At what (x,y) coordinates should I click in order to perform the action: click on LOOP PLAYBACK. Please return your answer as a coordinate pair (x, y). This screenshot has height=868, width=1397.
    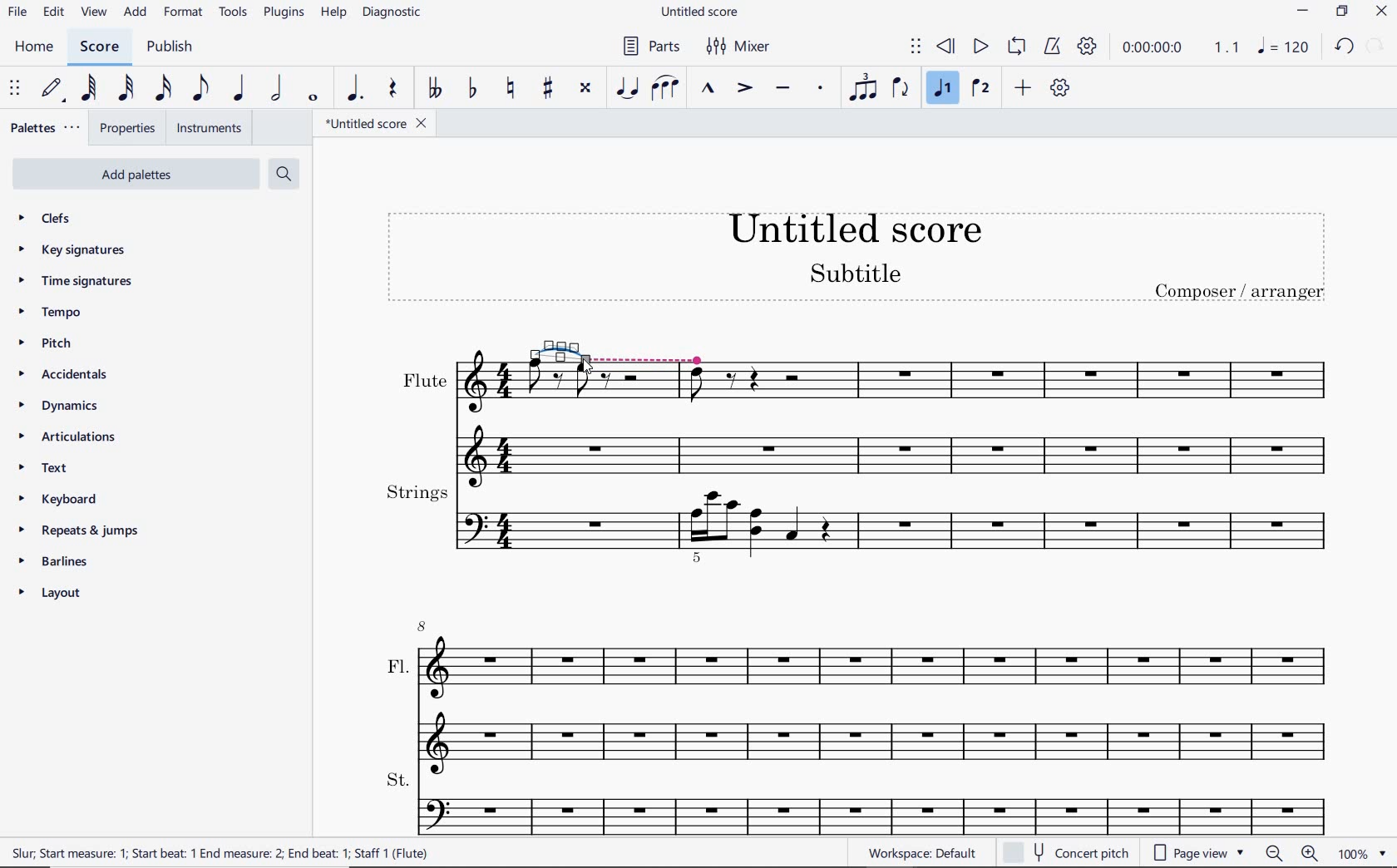
    Looking at the image, I should click on (1017, 47).